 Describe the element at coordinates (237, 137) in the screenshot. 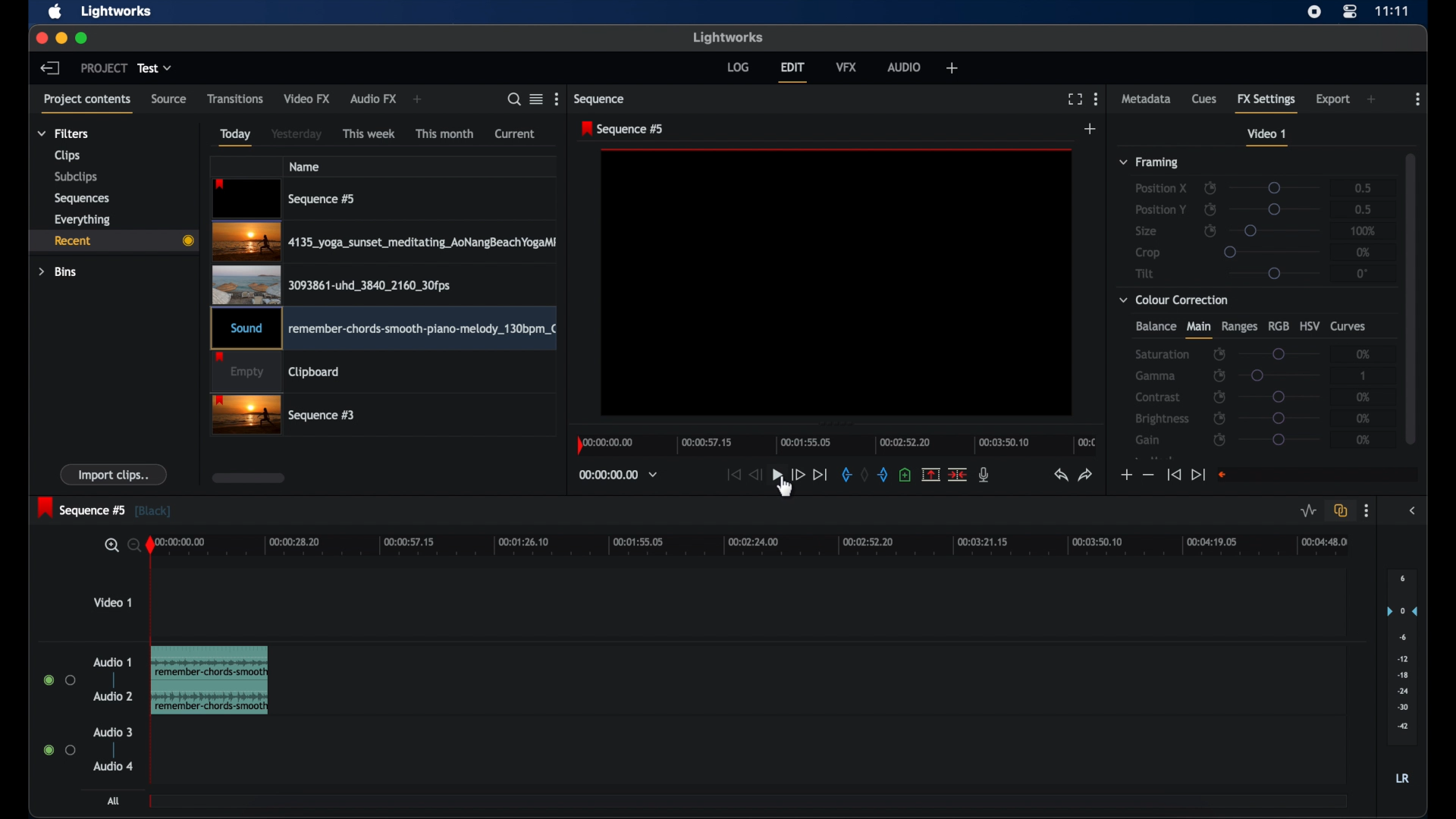

I see `today` at that location.